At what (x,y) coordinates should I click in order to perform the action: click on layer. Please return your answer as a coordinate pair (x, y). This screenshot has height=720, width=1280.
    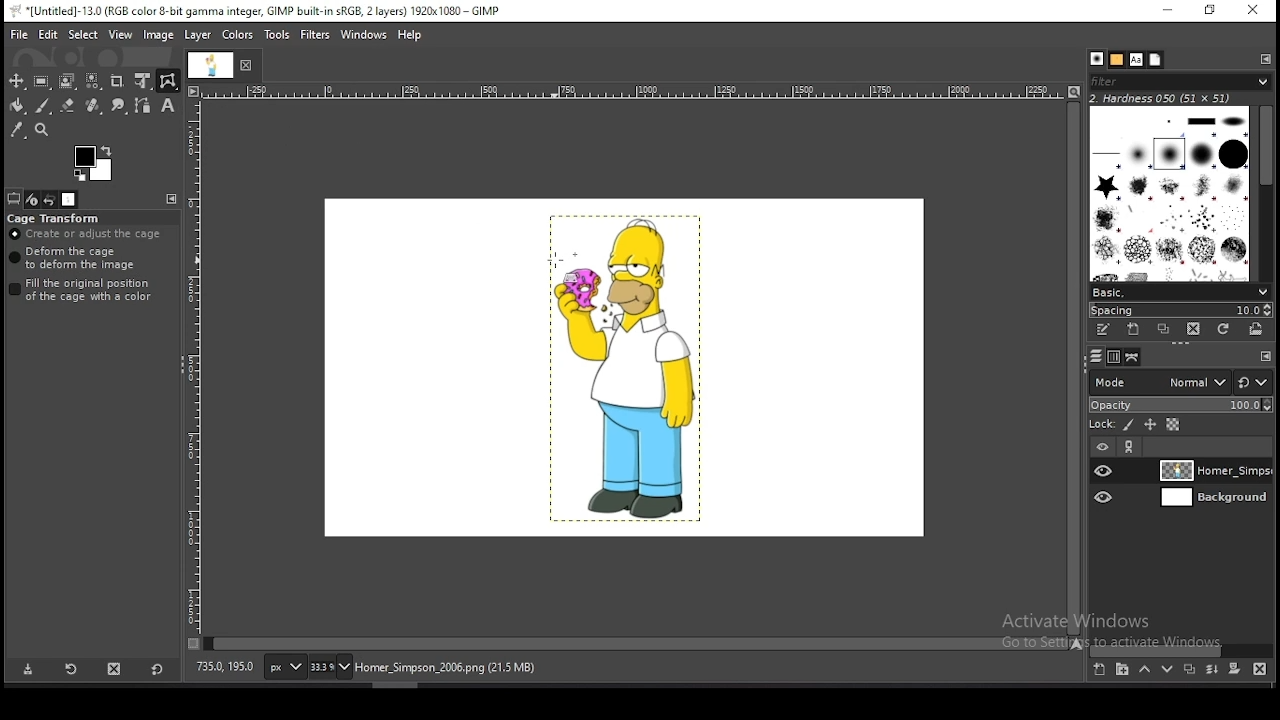
    Looking at the image, I should click on (199, 36).